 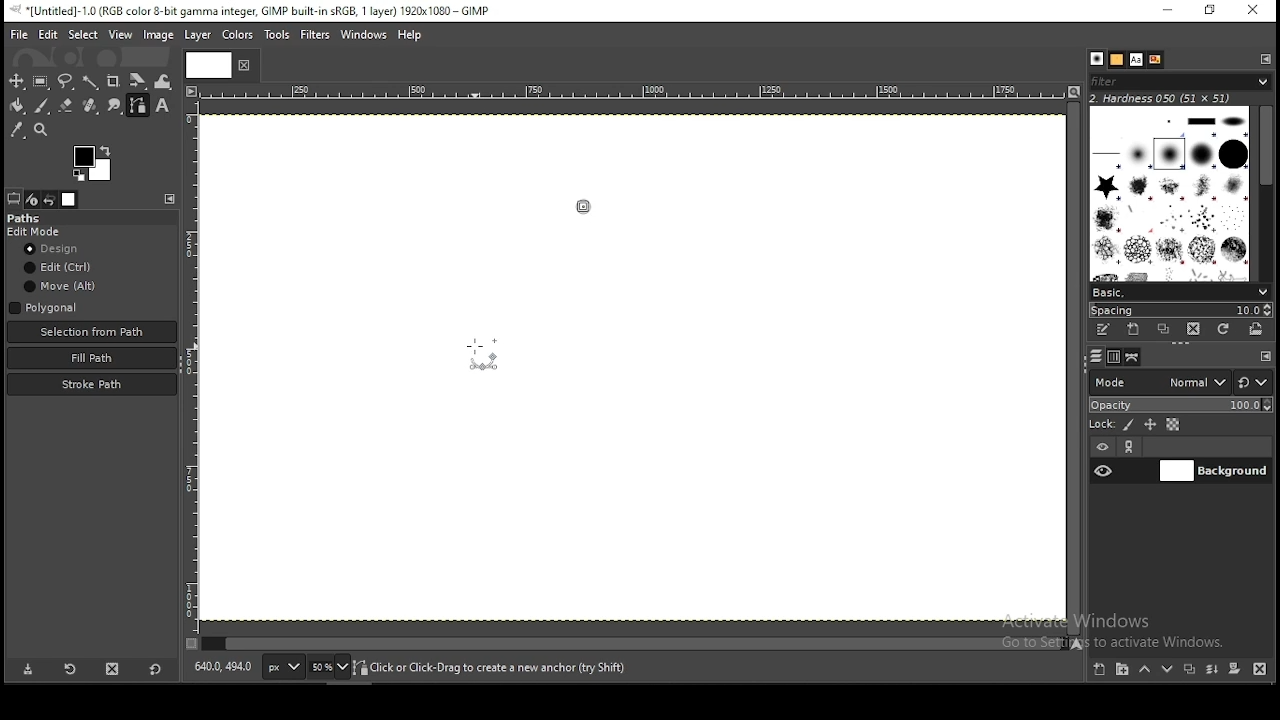 I want to click on windows, so click(x=363, y=33).